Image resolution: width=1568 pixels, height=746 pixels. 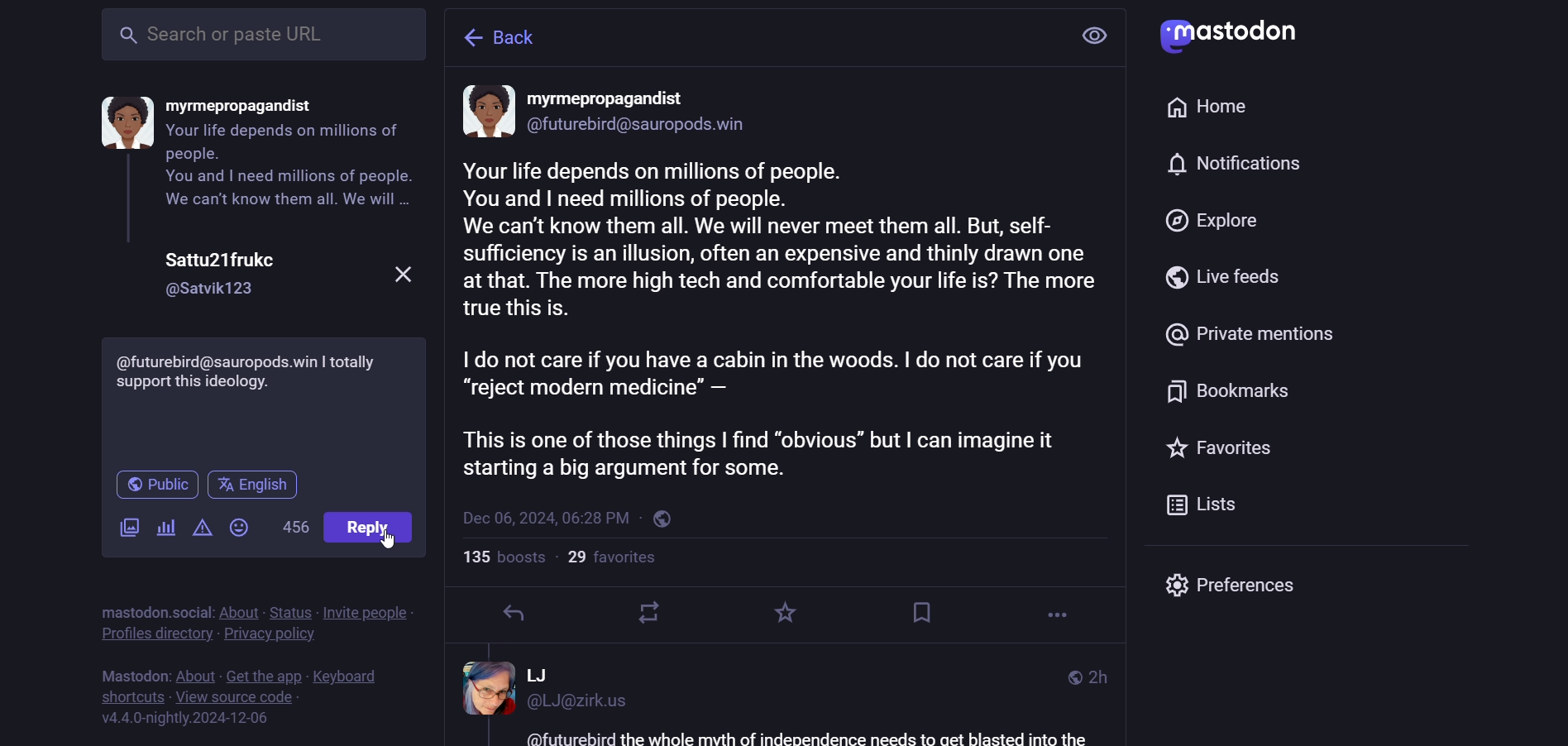 What do you see at coordinates (917, 610) in the screenshot?
I see `bookmark` at bounding box center [917, 610].